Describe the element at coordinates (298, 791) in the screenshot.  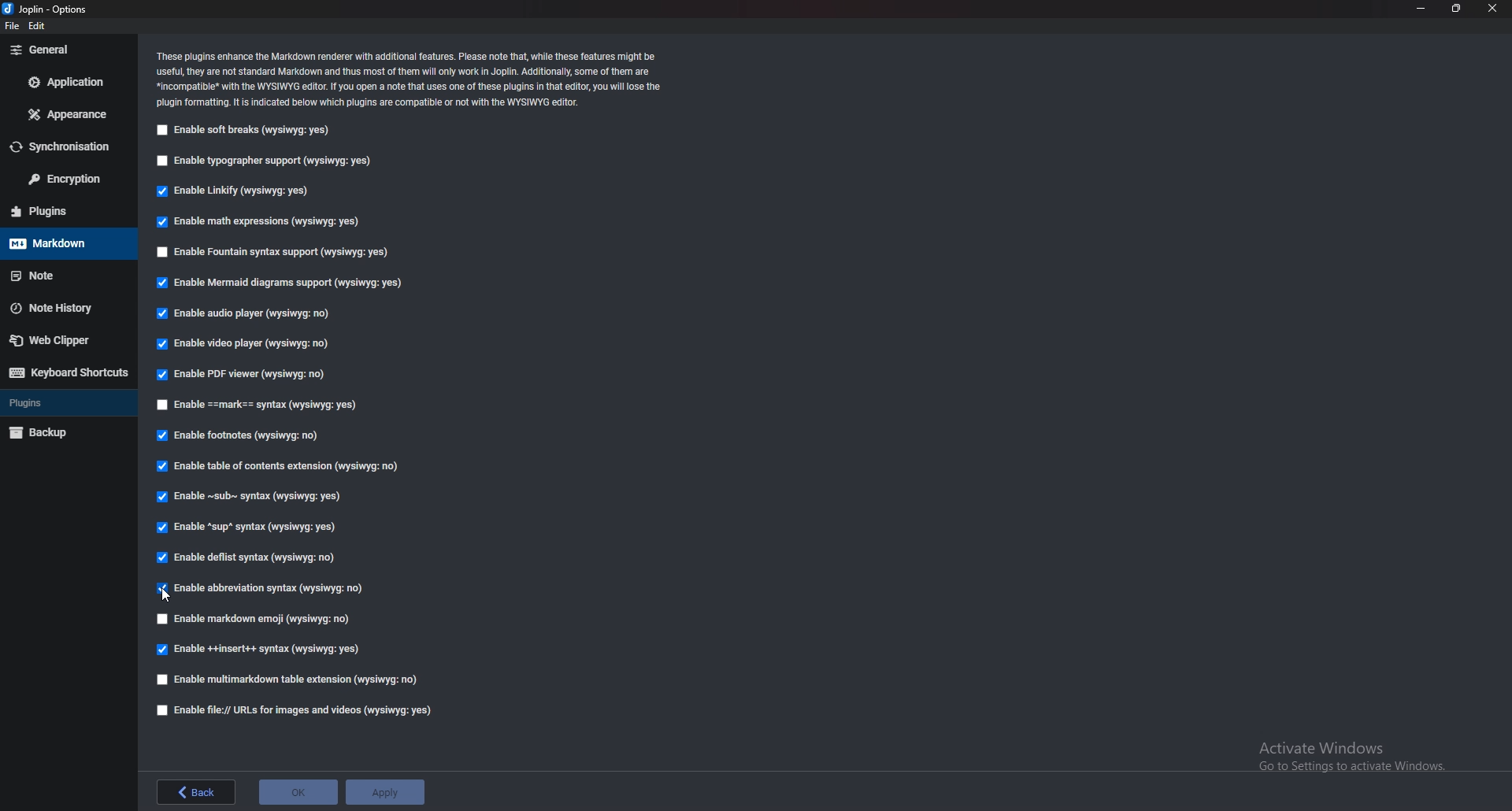
I see `ok` at that location.